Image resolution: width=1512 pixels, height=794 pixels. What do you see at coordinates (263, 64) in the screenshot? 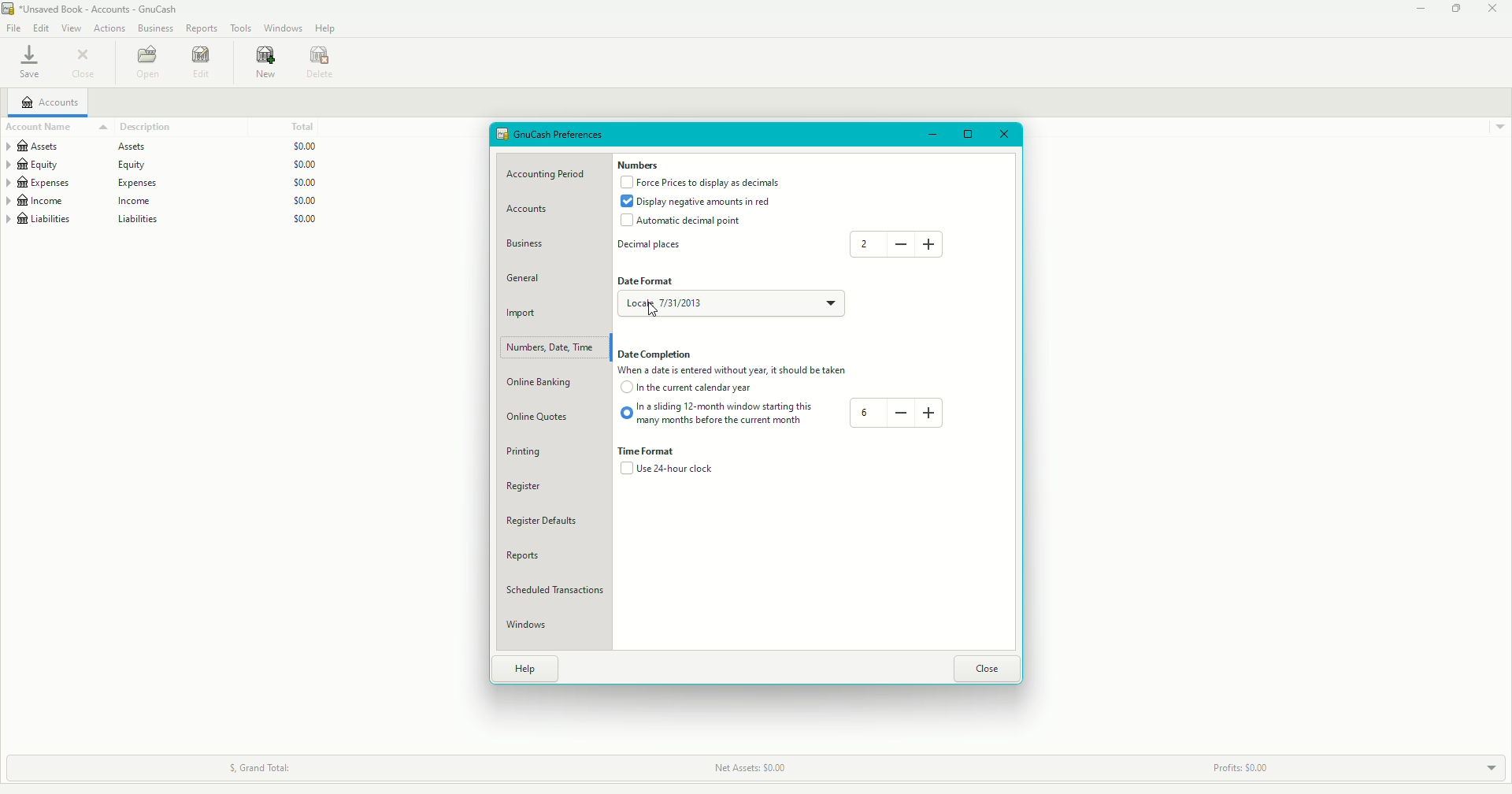
I see `New` at bounding box center [263, 64].